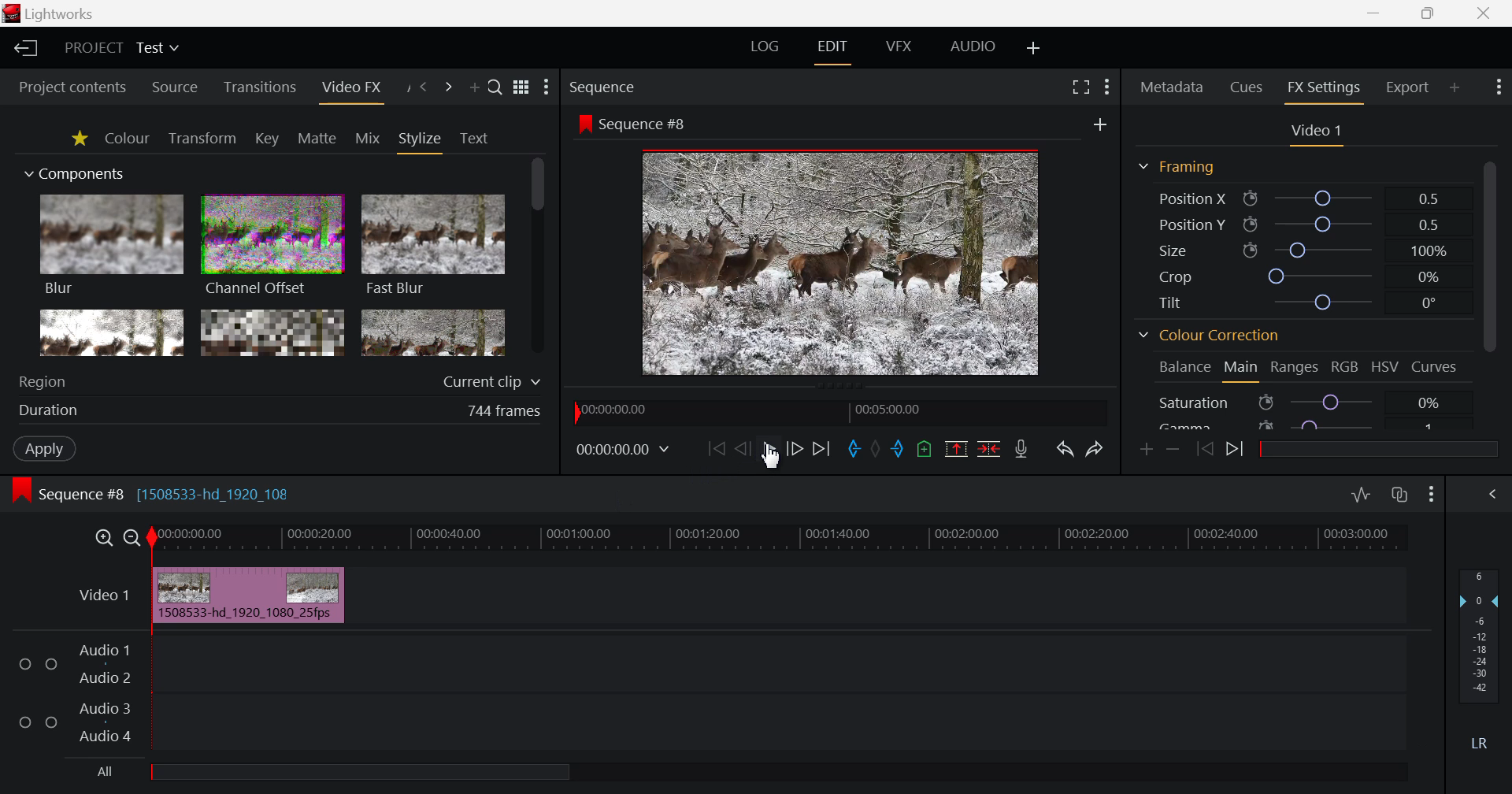  What do you see at coordinates (1490, 291) in the screenshot?
I see `Scroll Bar` at bounding box center [1490, 291].